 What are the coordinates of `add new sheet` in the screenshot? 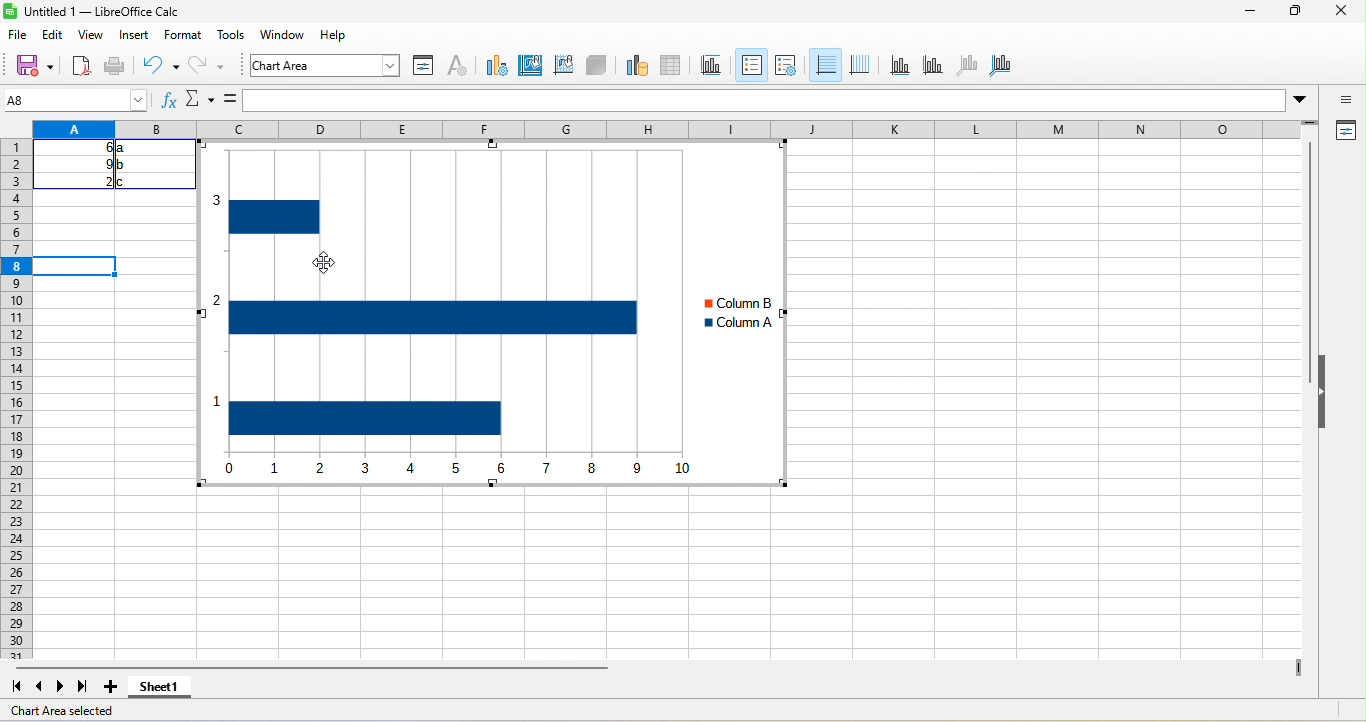 It's located at (115, 687).